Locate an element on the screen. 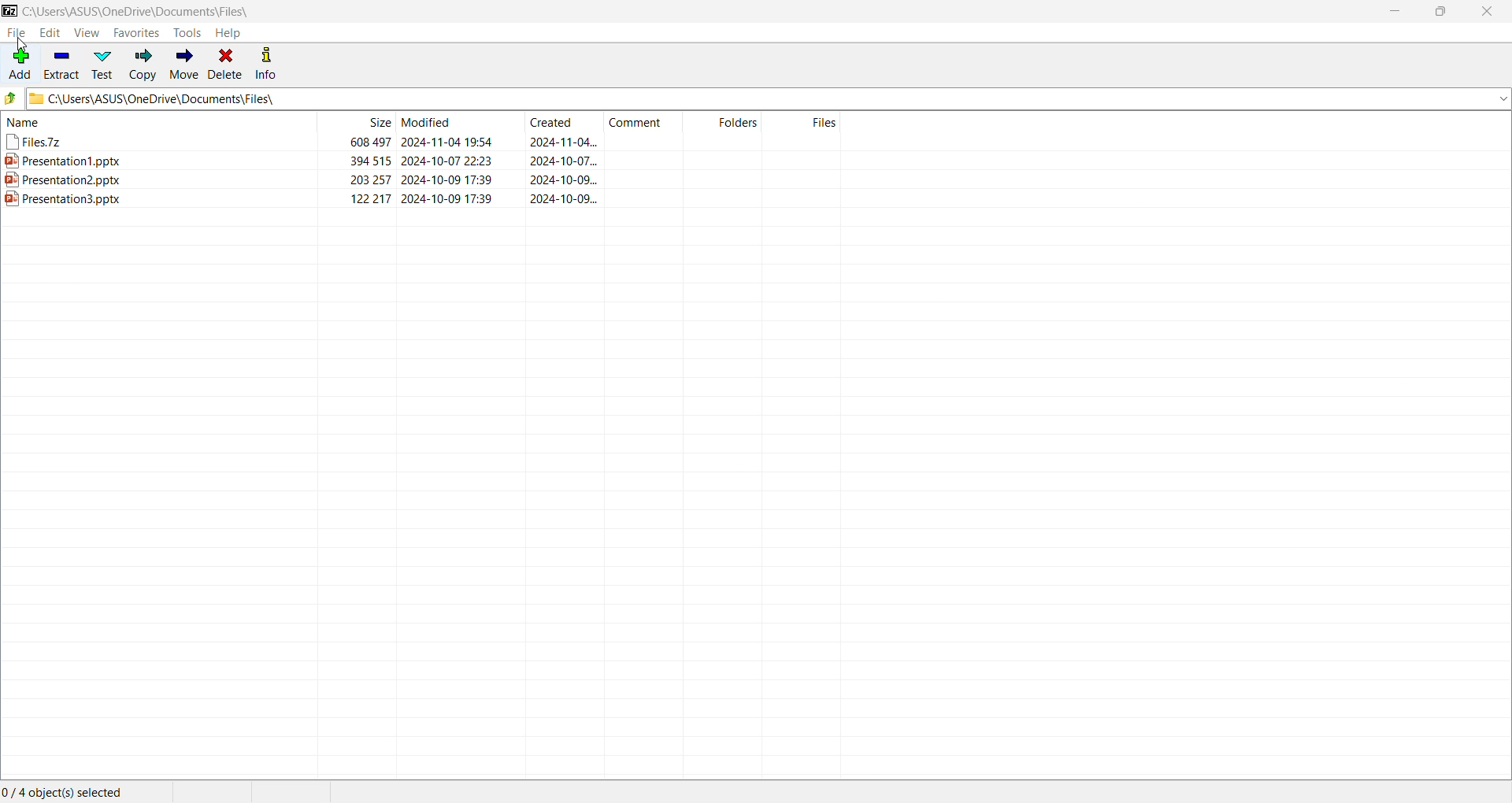 The width and height of the screenshot is (1512, 803). 608 497 is located at coordinates (365, 142).